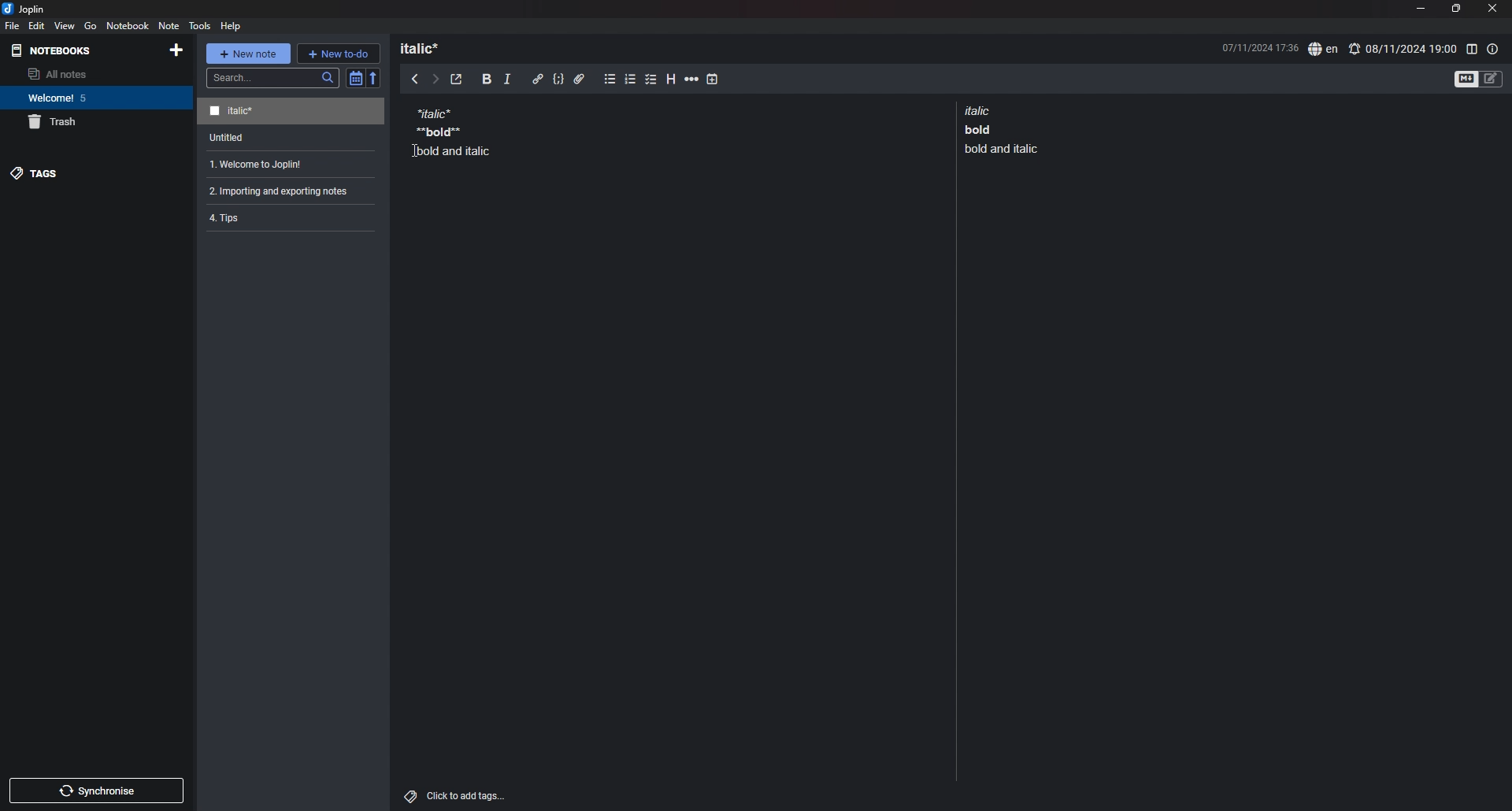  I want to click on tools, so click(200, 25).